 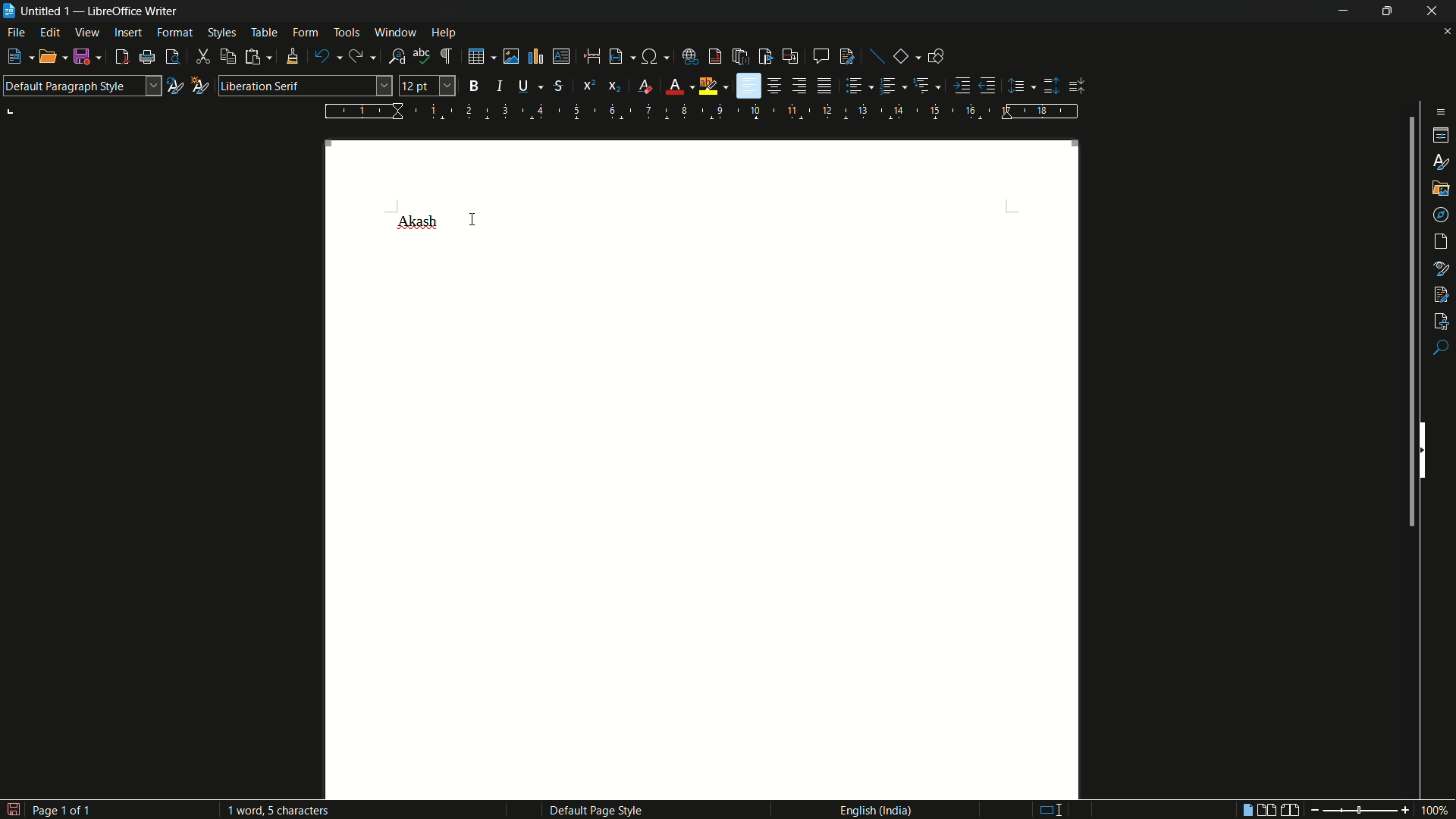 I want to click on tools menu, so click(x=347, y=32).